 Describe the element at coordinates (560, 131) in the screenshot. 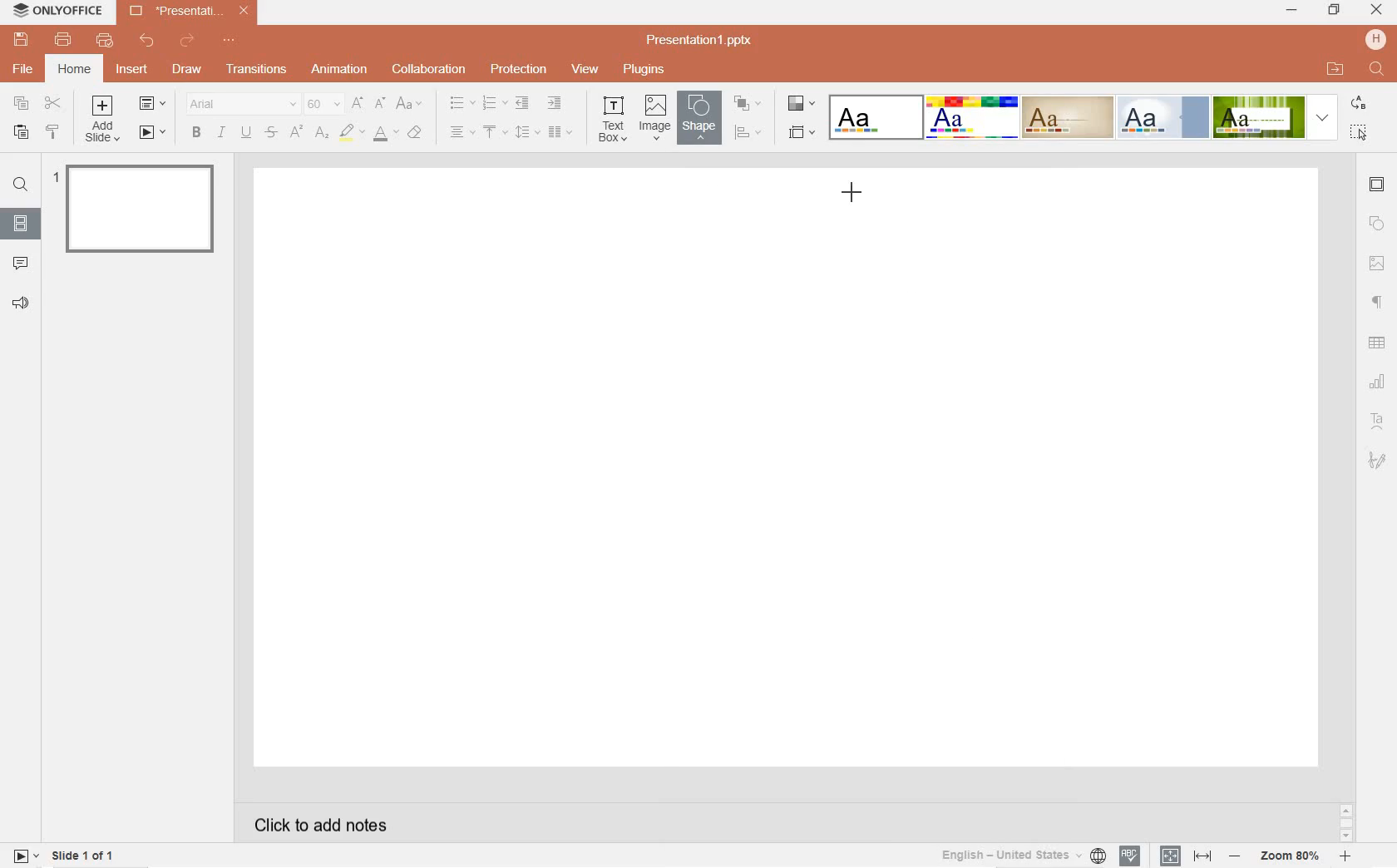

I see `insert columns` at that location.